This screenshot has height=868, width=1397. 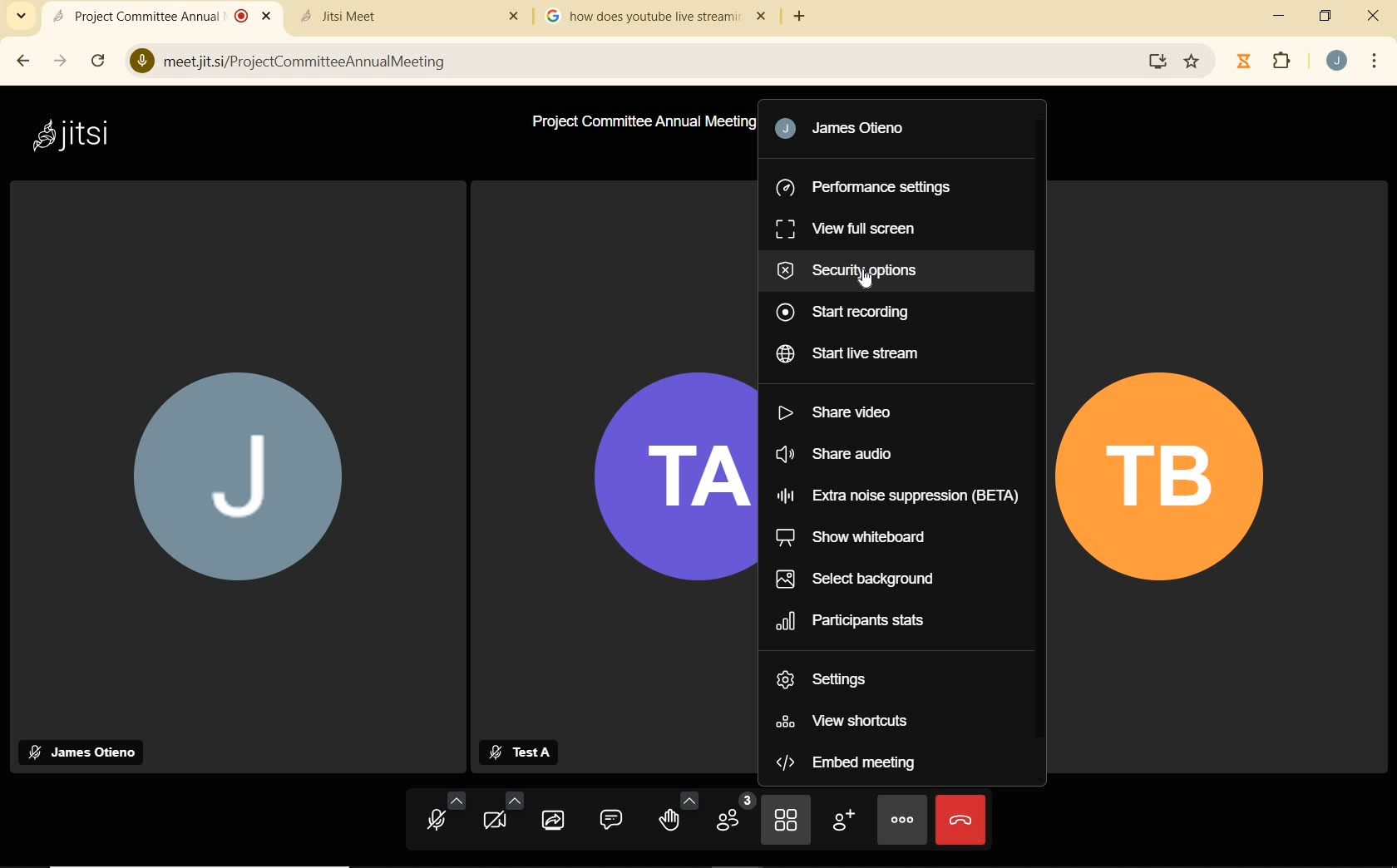 What do you see at coordinates (443, 816) in the screenshot?
I see `MICROPHONE` at bounding box center [443, 816].